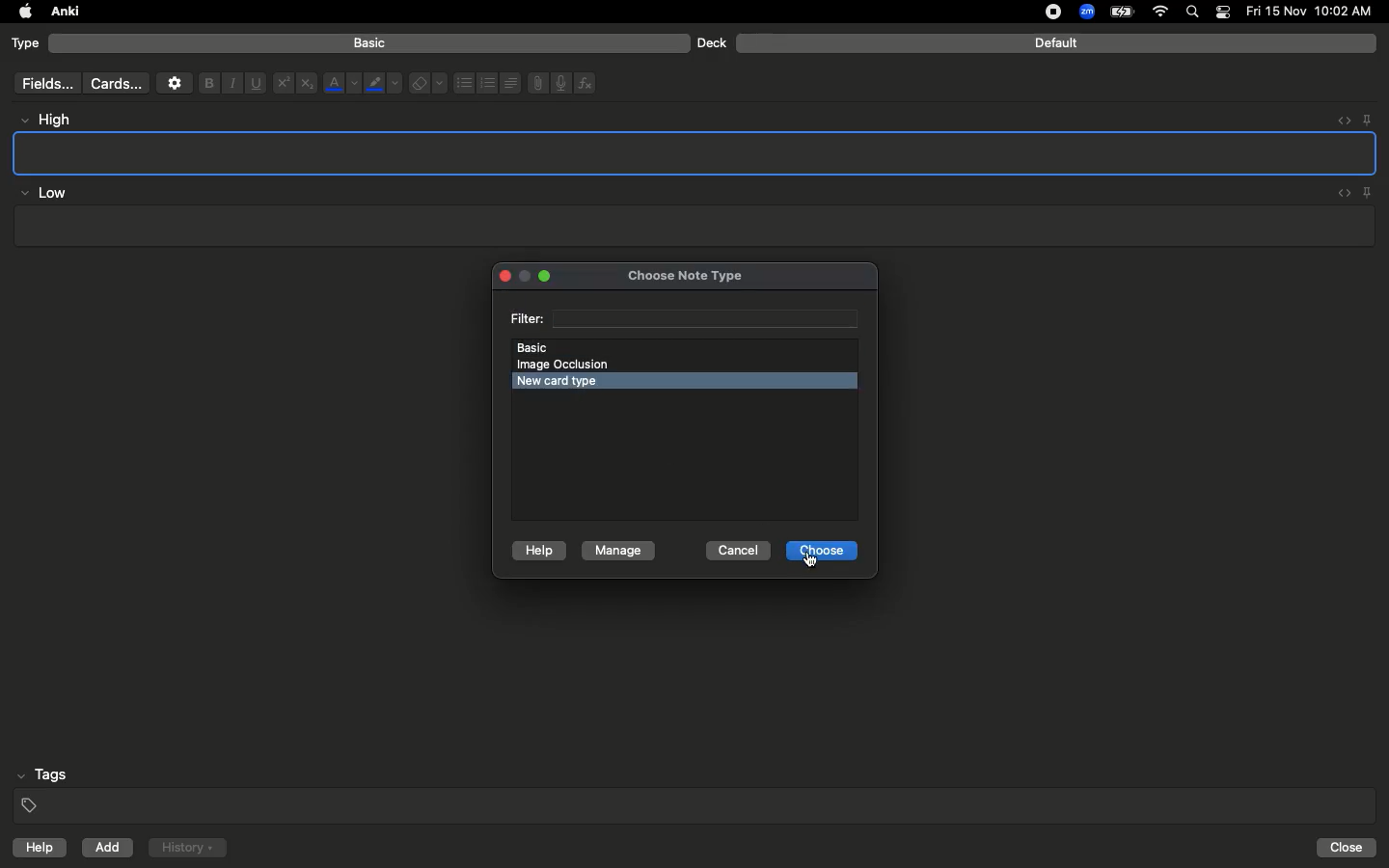 The image size is (1389, 868). Describe the element at coordinates (1367, 119) in the screenshot. I see `Pin` at that location.